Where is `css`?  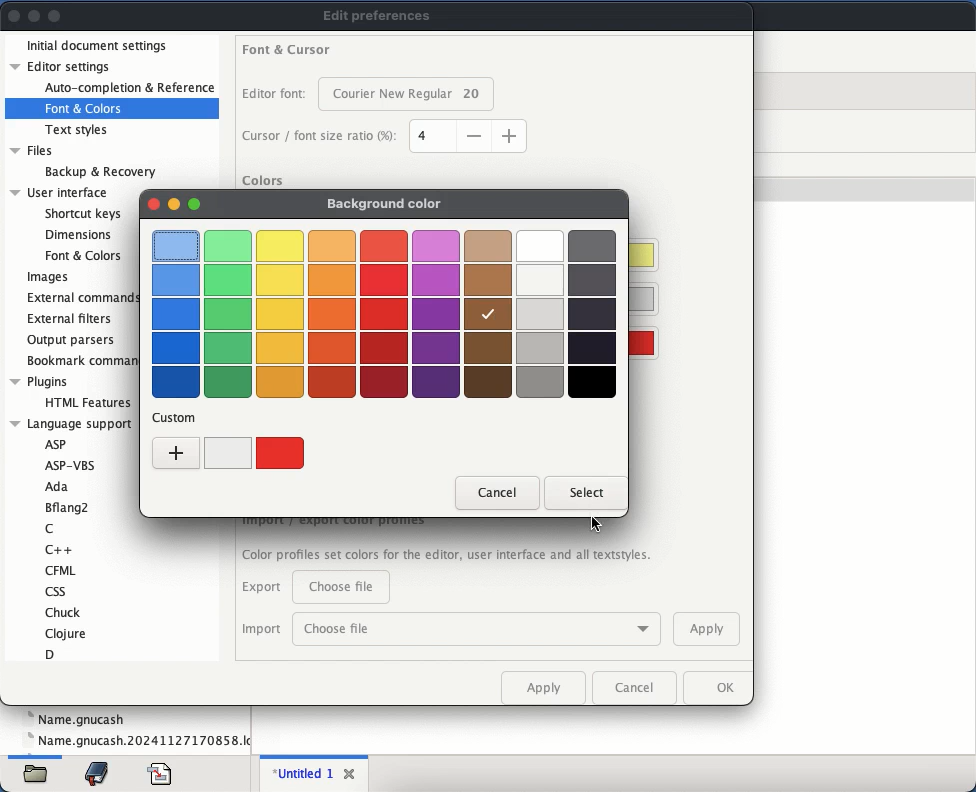 css is located at coordinates (57, 591).